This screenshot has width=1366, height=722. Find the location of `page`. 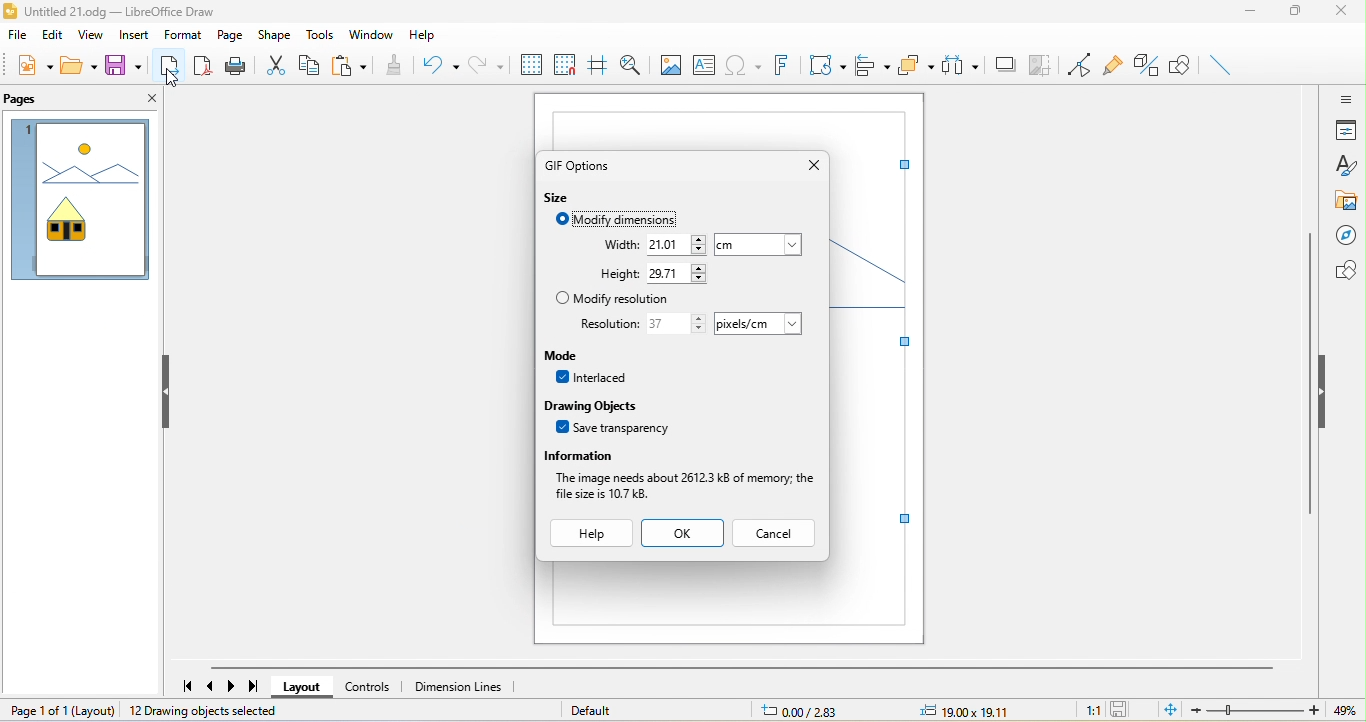

page is located at coordinates (231, 35).